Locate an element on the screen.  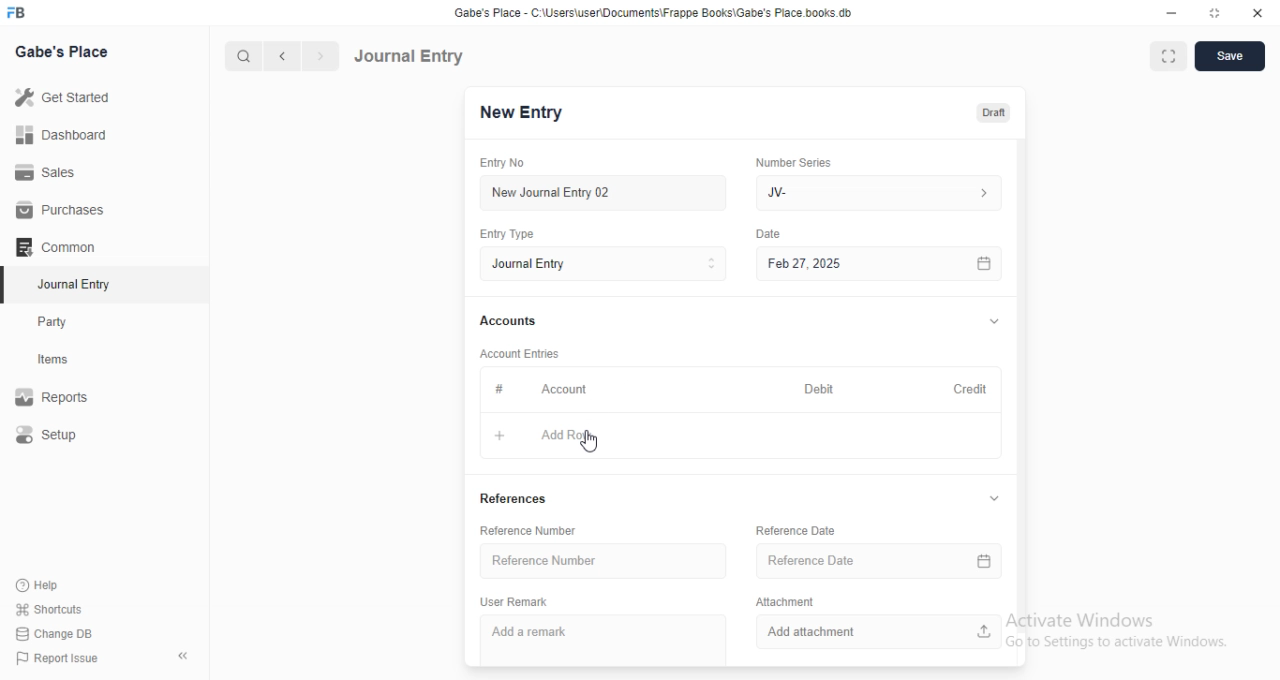
‘Add attachment is located at coordinates (877, 632).